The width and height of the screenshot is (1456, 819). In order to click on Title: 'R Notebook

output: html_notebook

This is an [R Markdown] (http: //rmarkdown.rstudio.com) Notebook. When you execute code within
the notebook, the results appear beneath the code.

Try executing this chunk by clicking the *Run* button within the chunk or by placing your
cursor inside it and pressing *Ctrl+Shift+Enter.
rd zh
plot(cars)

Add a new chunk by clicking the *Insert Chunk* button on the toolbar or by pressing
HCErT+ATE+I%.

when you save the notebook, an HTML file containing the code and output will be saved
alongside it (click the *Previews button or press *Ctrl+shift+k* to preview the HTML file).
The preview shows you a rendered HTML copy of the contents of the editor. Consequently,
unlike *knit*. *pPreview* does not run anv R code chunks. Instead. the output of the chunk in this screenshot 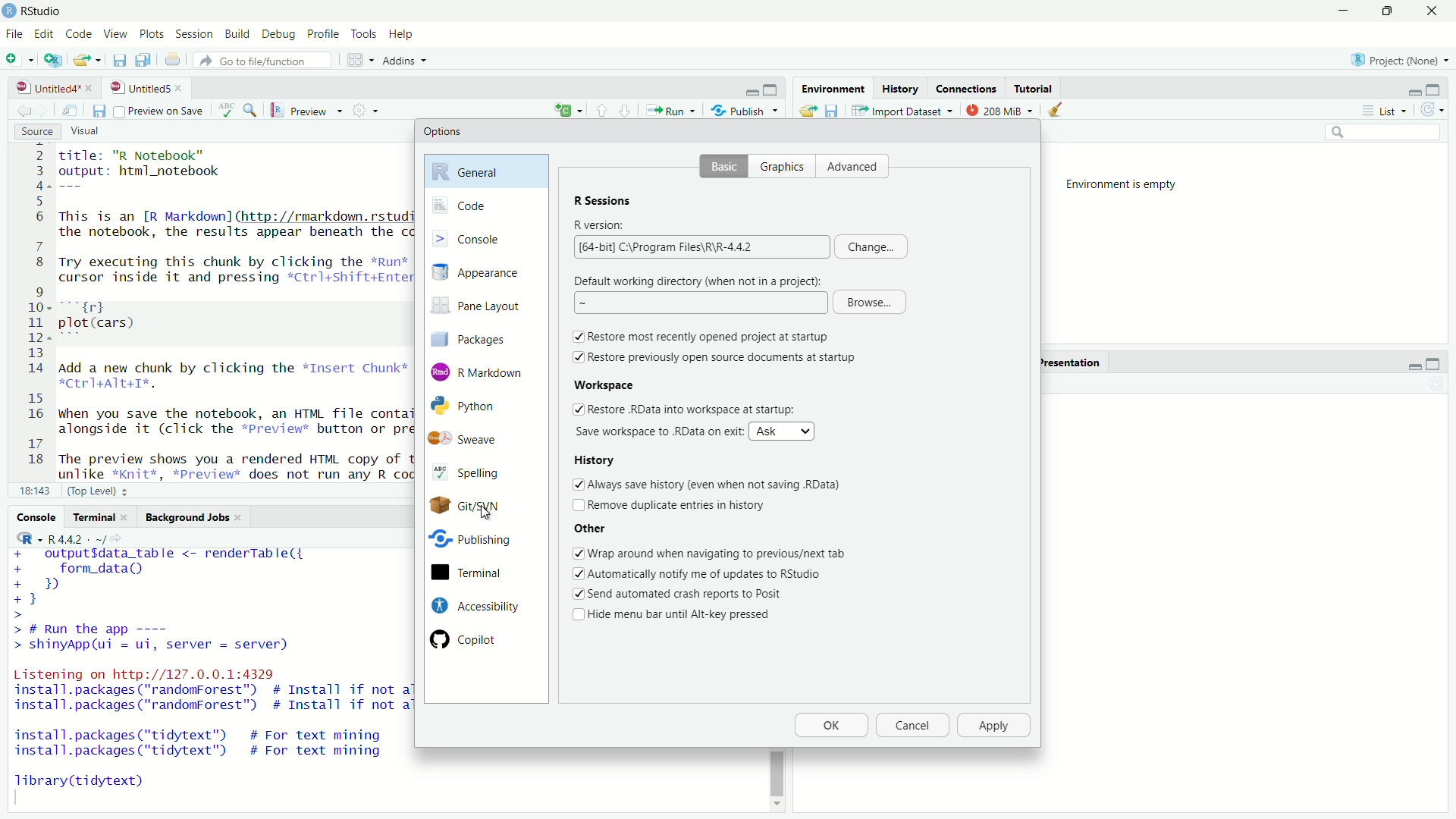, I will do `click(231, 312)`.